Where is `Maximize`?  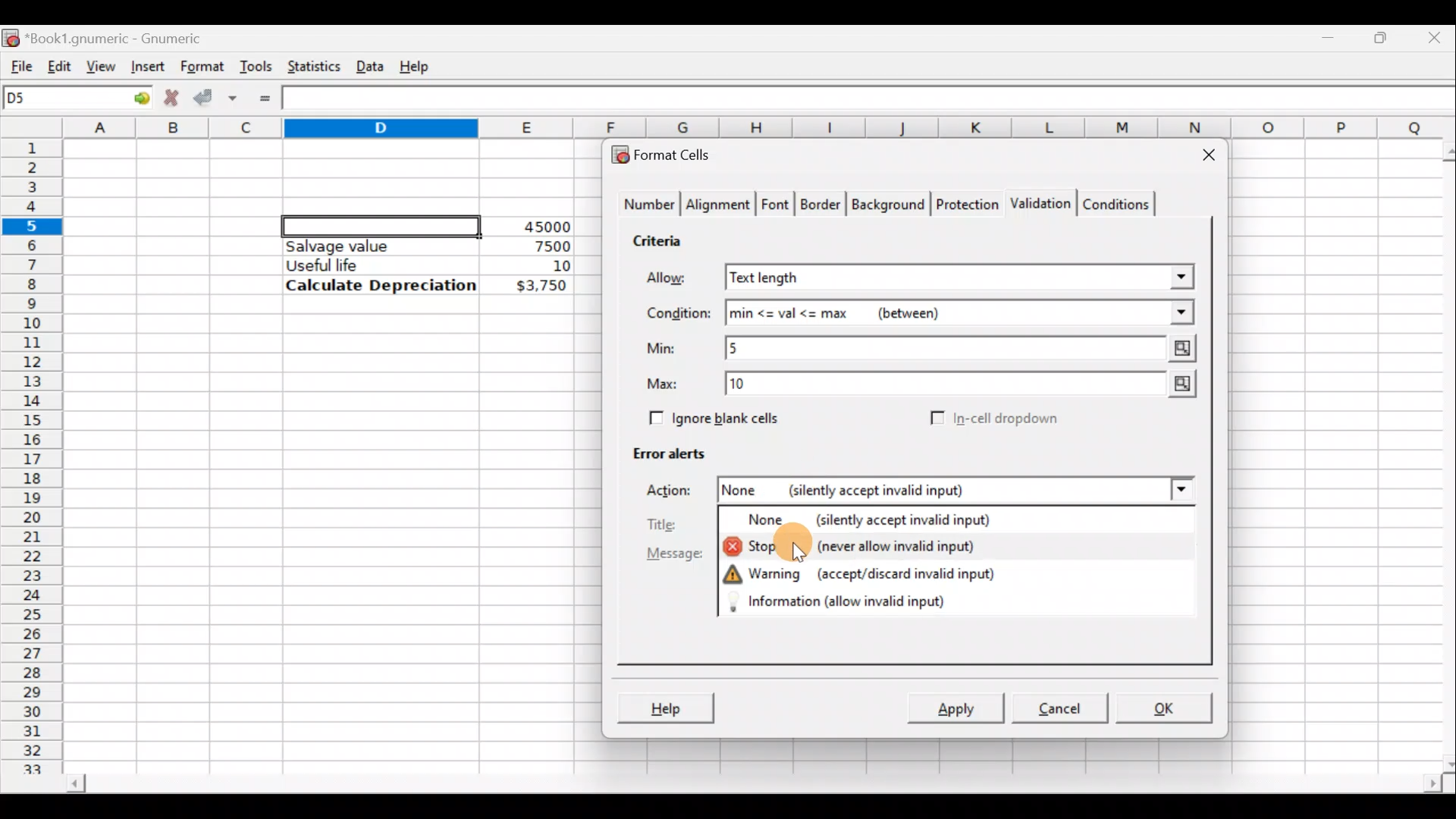 Maximize is located at coordinates (1384, 35).